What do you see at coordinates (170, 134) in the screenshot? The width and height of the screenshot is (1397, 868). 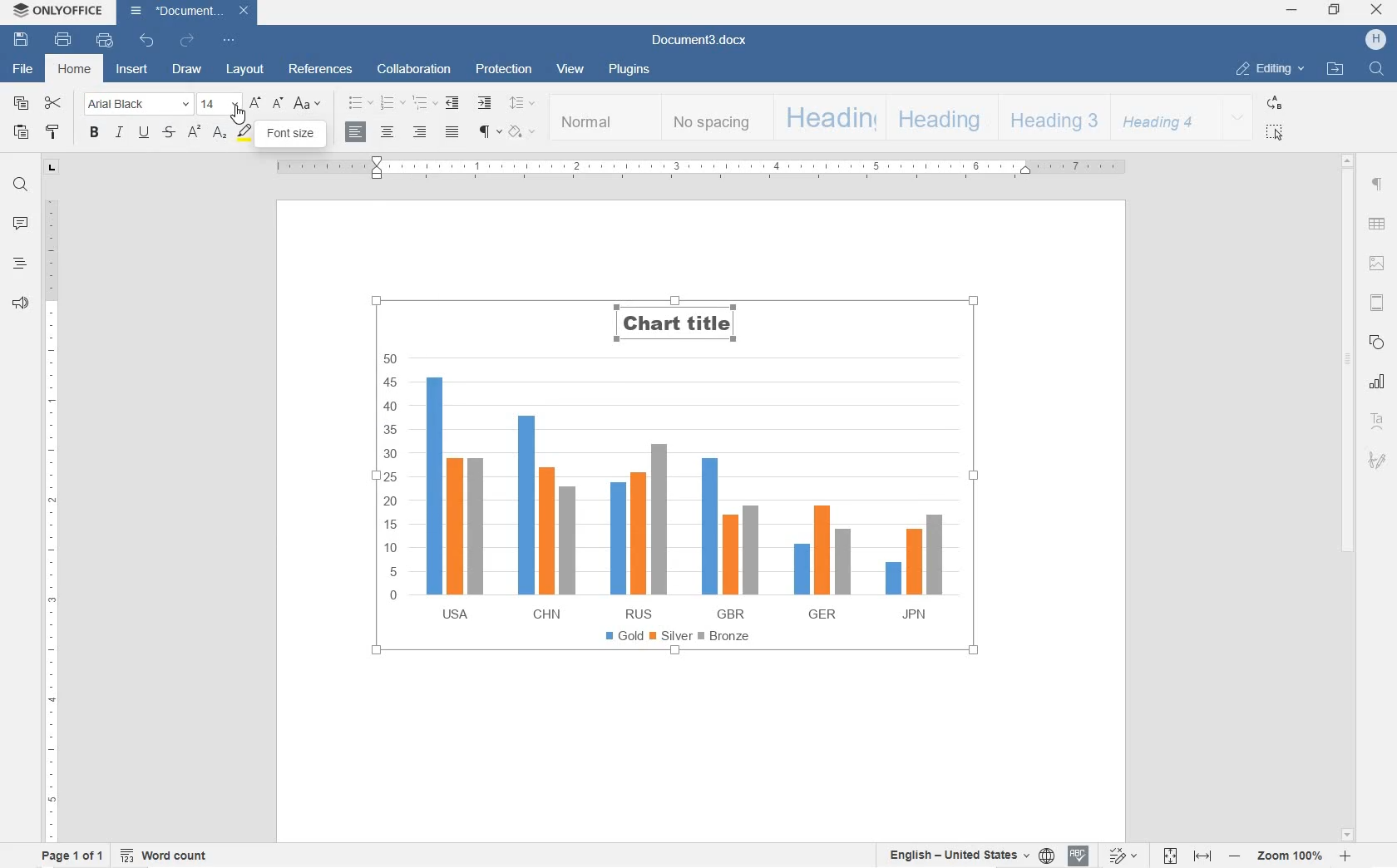 I see `STRIKETHROUGH` at bounding box center [170, 134].